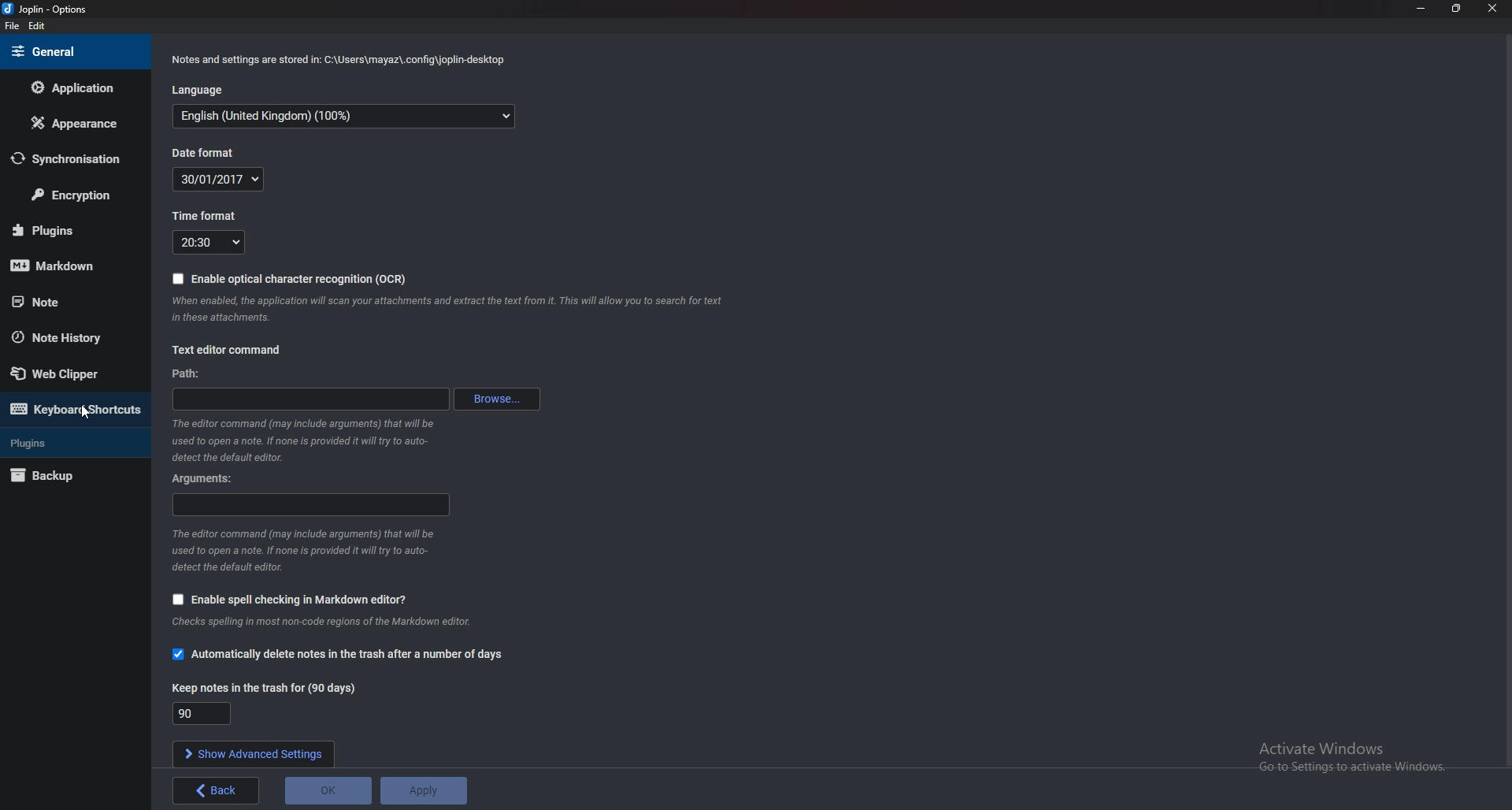  I want to click on Appearance, so click(75, 122).